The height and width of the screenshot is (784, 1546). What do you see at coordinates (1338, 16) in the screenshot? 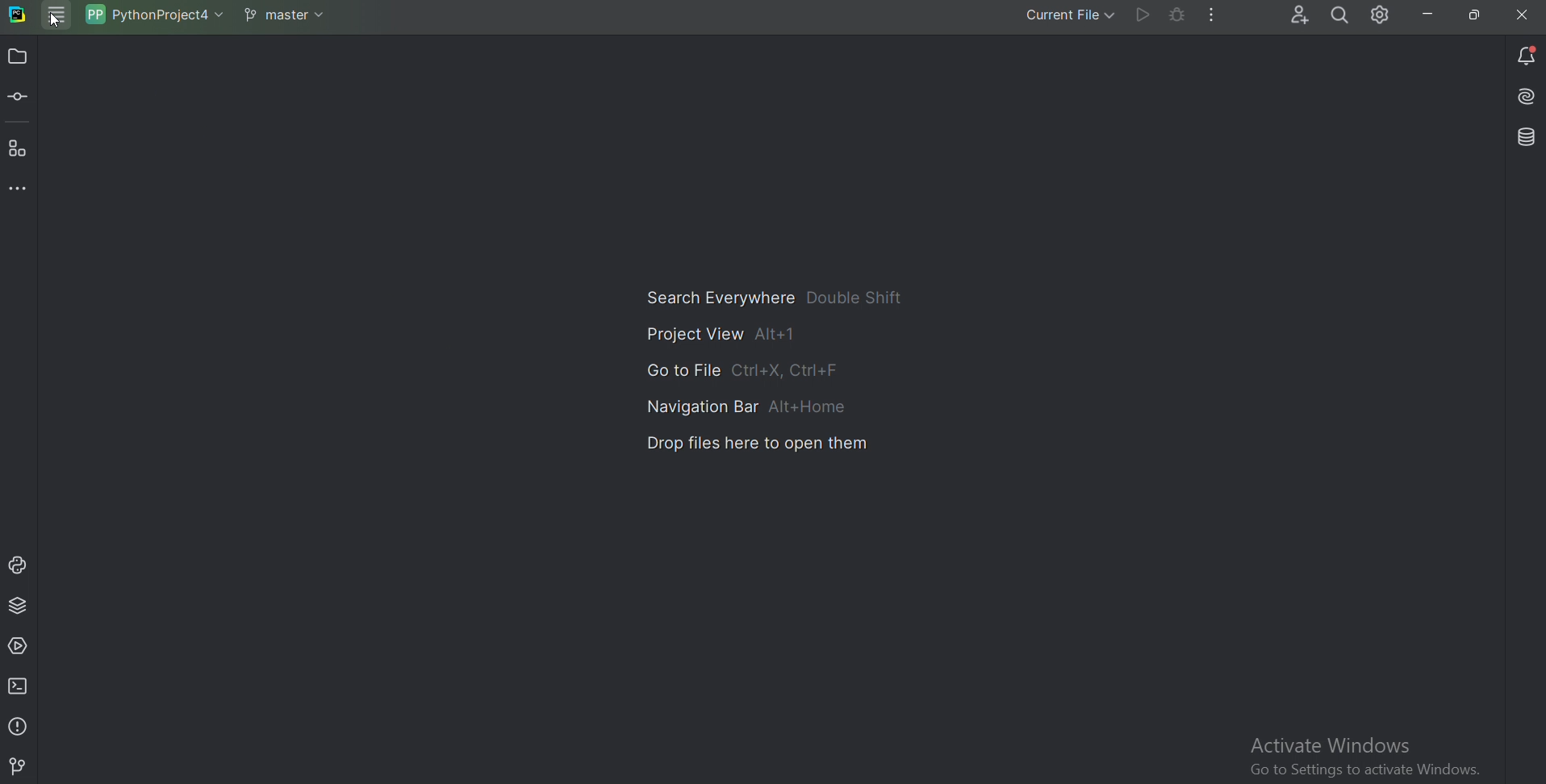
I see `Search everywhere` at bounding box center [1338, 16].